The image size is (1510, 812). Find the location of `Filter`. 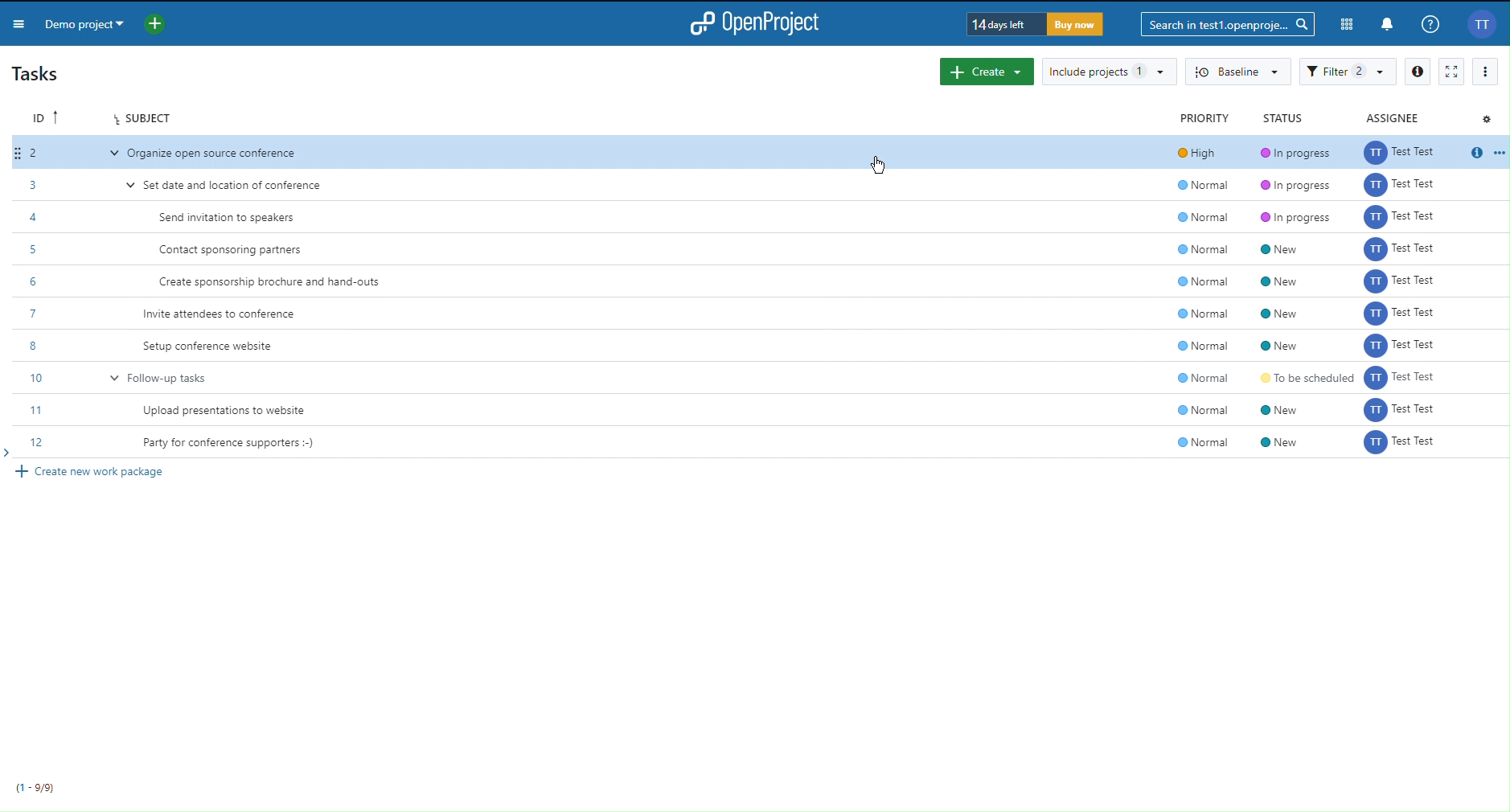

Filter is located at coordinates (1348, 70).